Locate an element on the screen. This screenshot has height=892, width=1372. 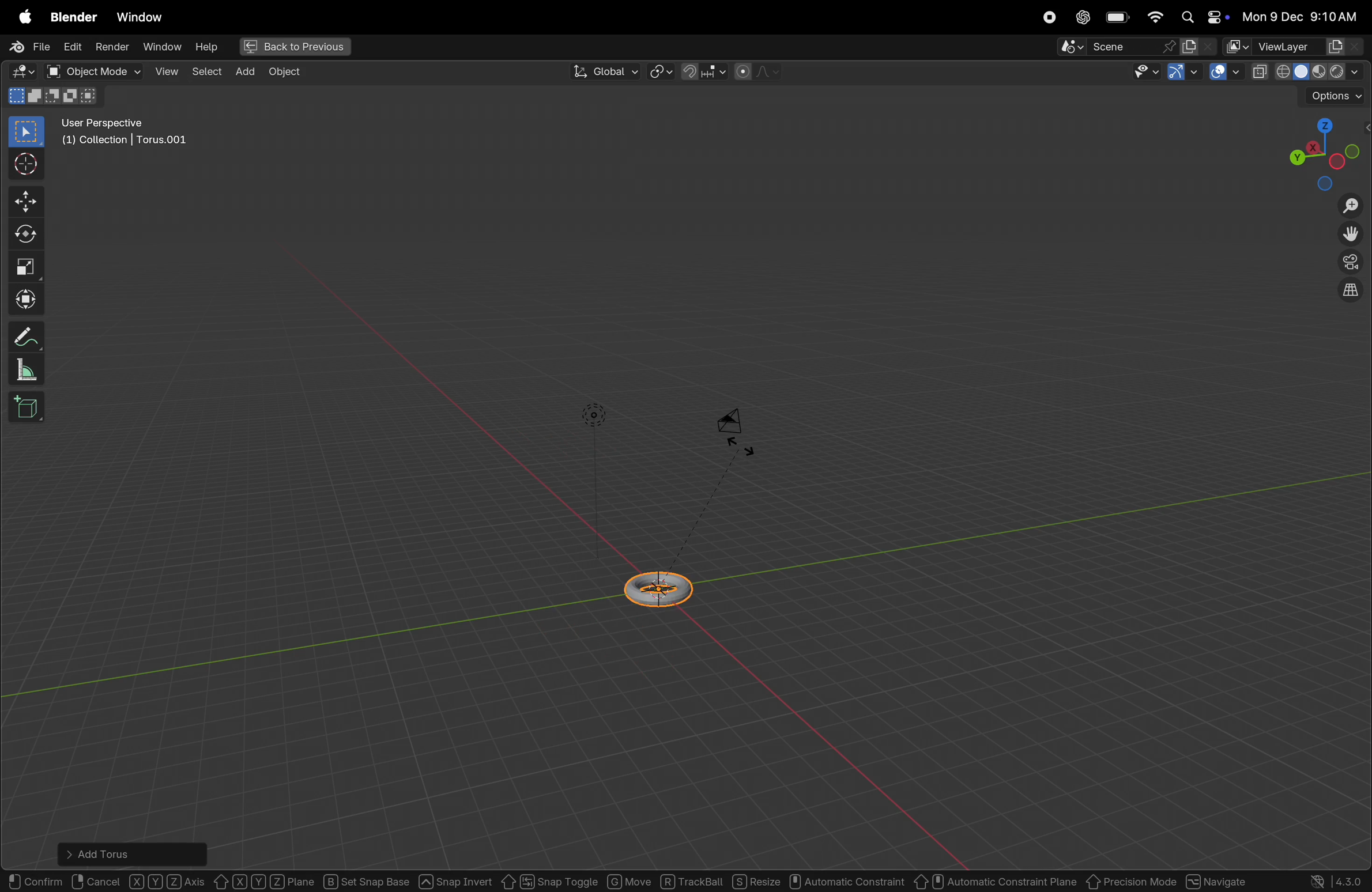
visibility is located at coordinates (1143, 73).